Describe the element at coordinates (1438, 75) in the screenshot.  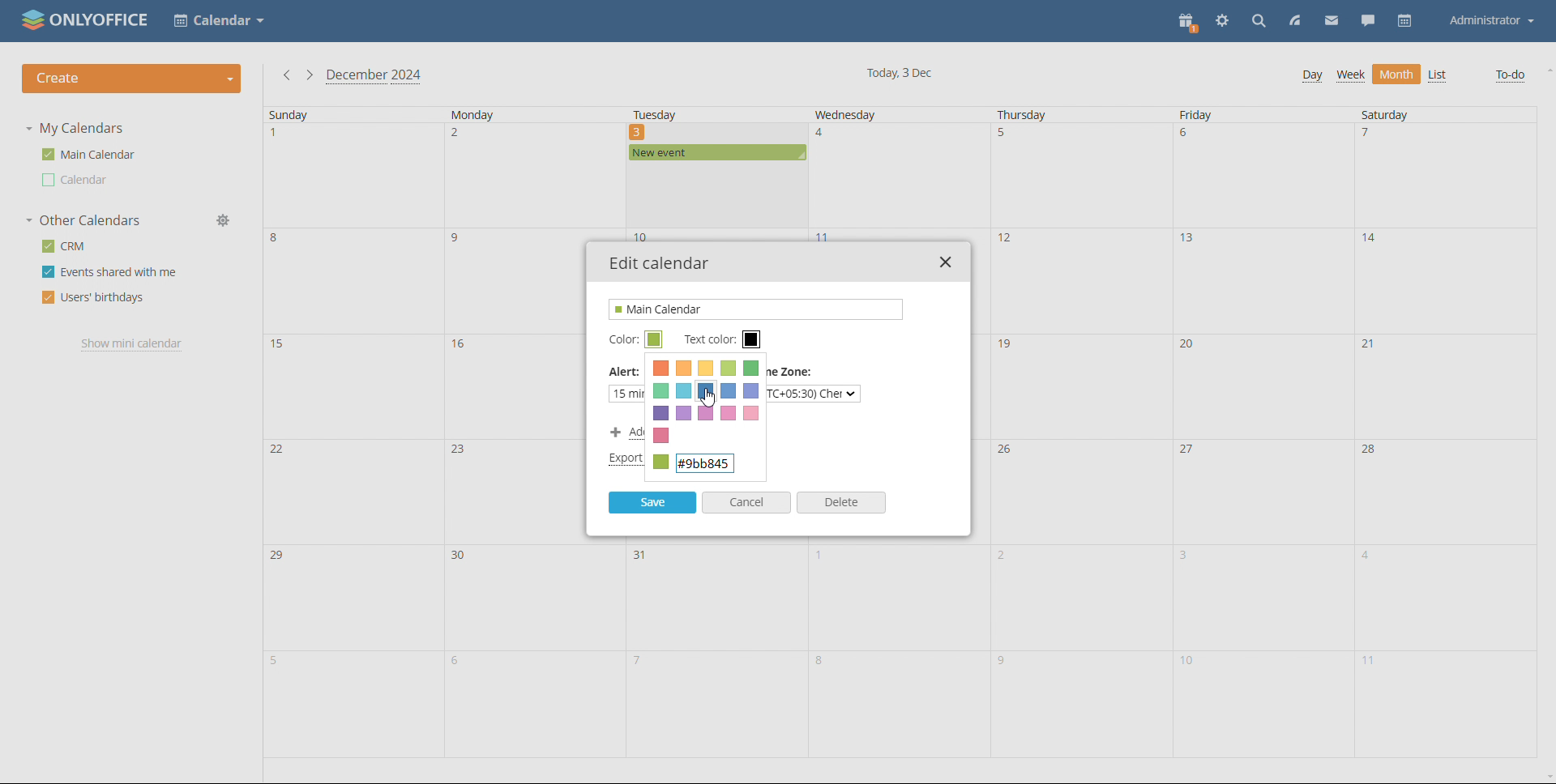
I see `list view` at that location.